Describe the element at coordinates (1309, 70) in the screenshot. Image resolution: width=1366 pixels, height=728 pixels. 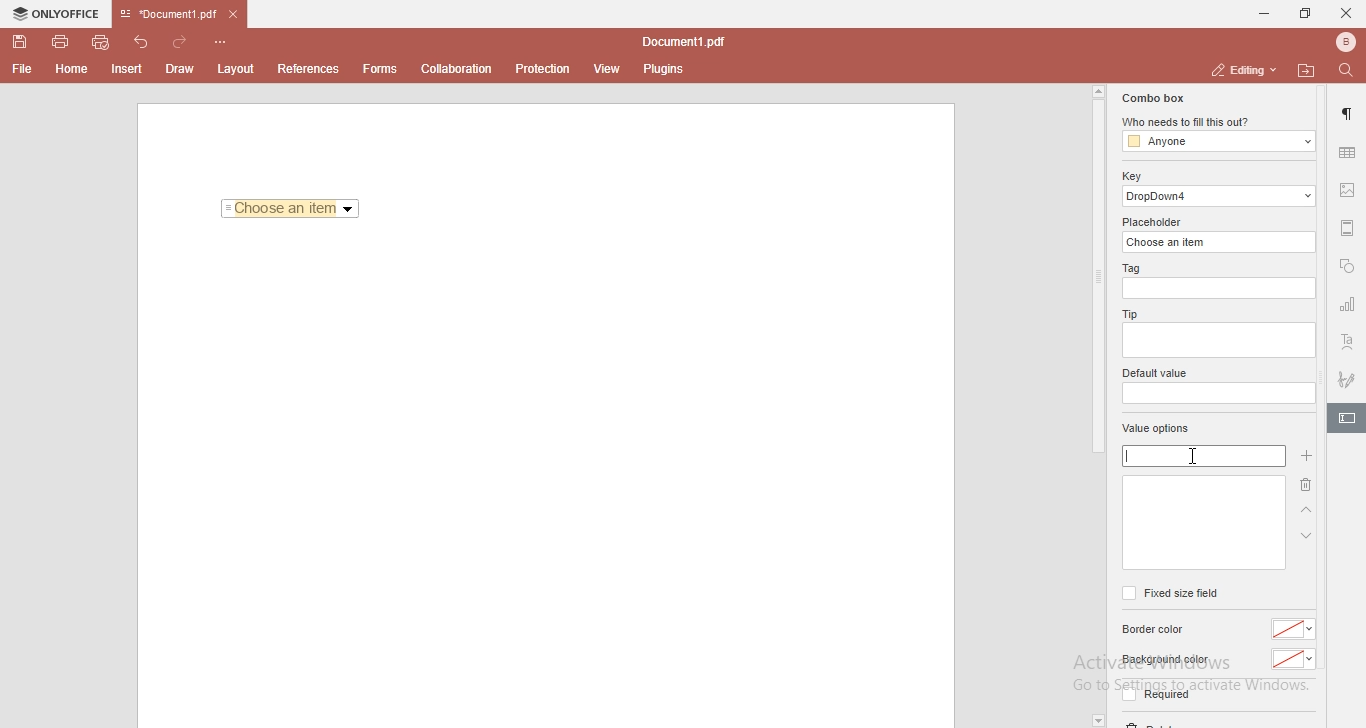
I see `open file location` at that location.